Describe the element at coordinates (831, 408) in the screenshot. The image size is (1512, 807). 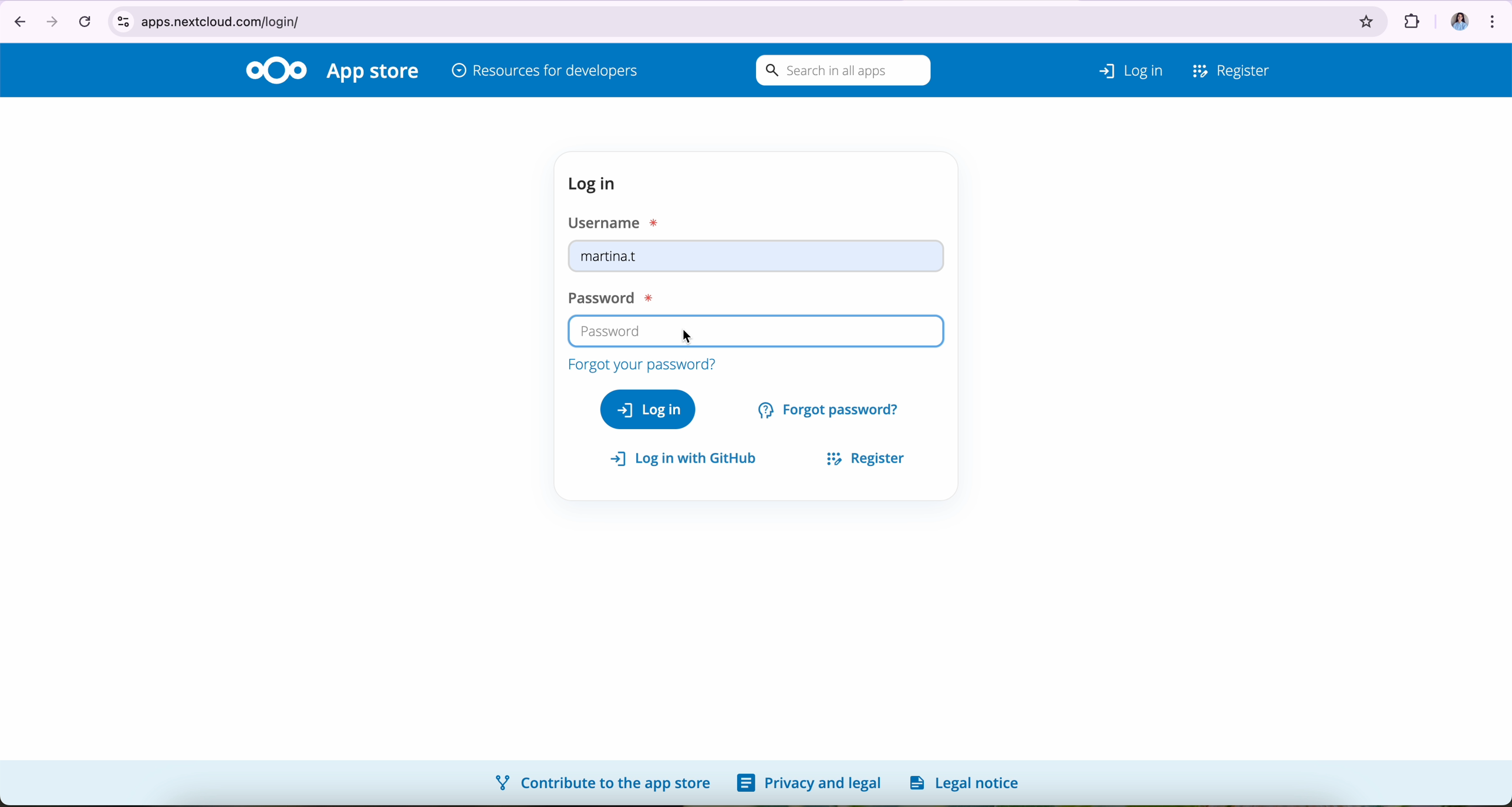
I see `forgot password` at that location.